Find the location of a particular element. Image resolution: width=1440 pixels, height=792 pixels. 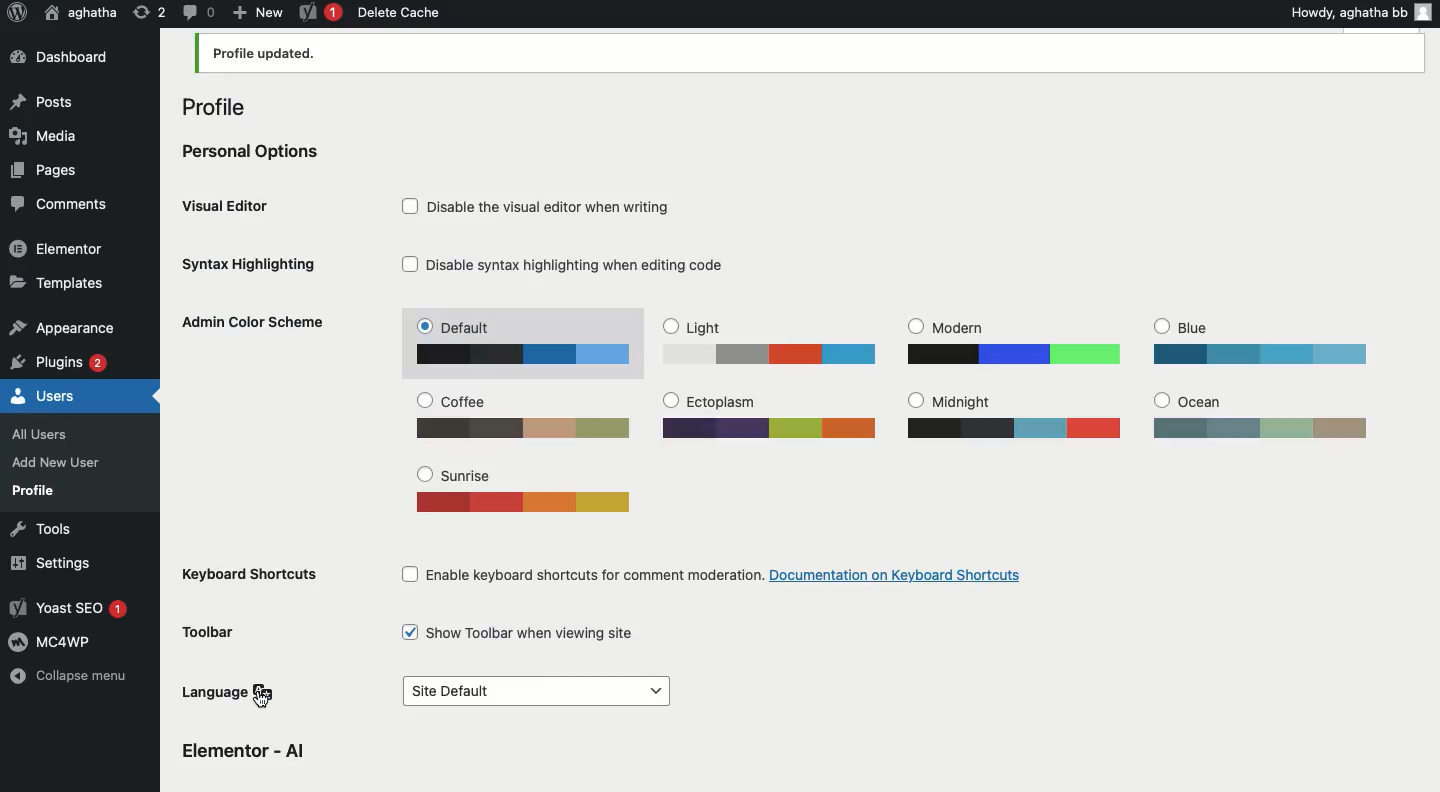

Comments is located at coordinates (60, 205).